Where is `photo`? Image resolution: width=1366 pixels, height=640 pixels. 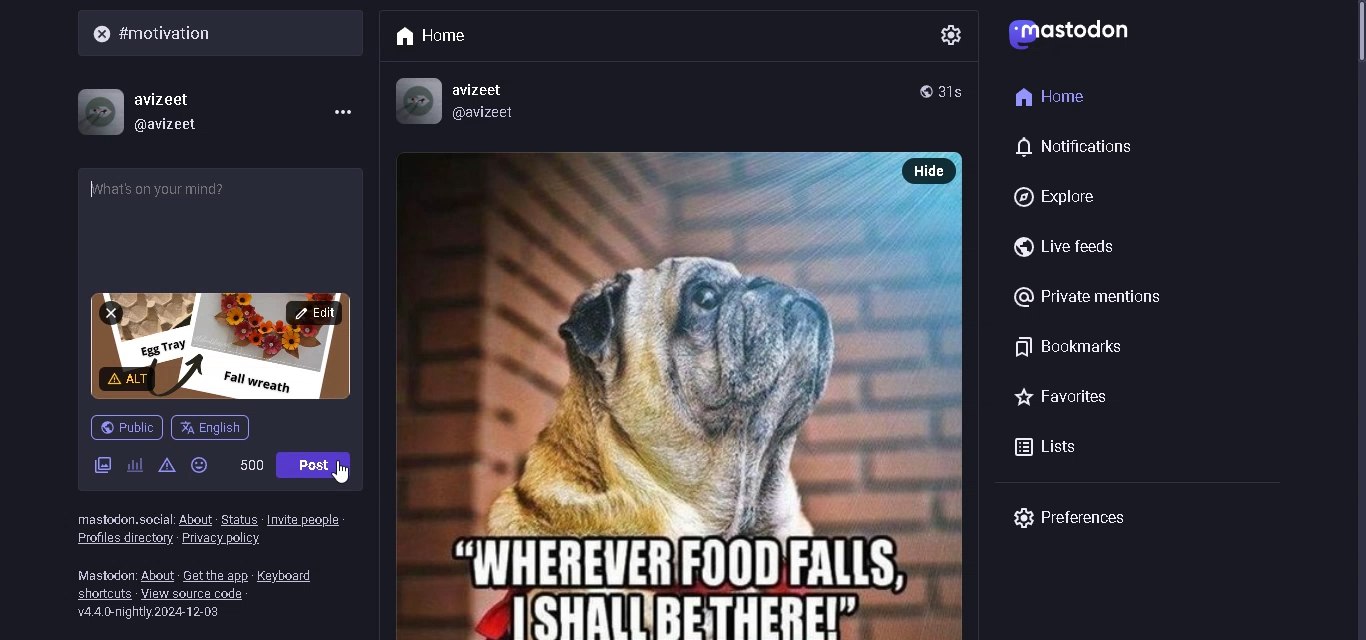 photo is located at coordinates (318, 344).